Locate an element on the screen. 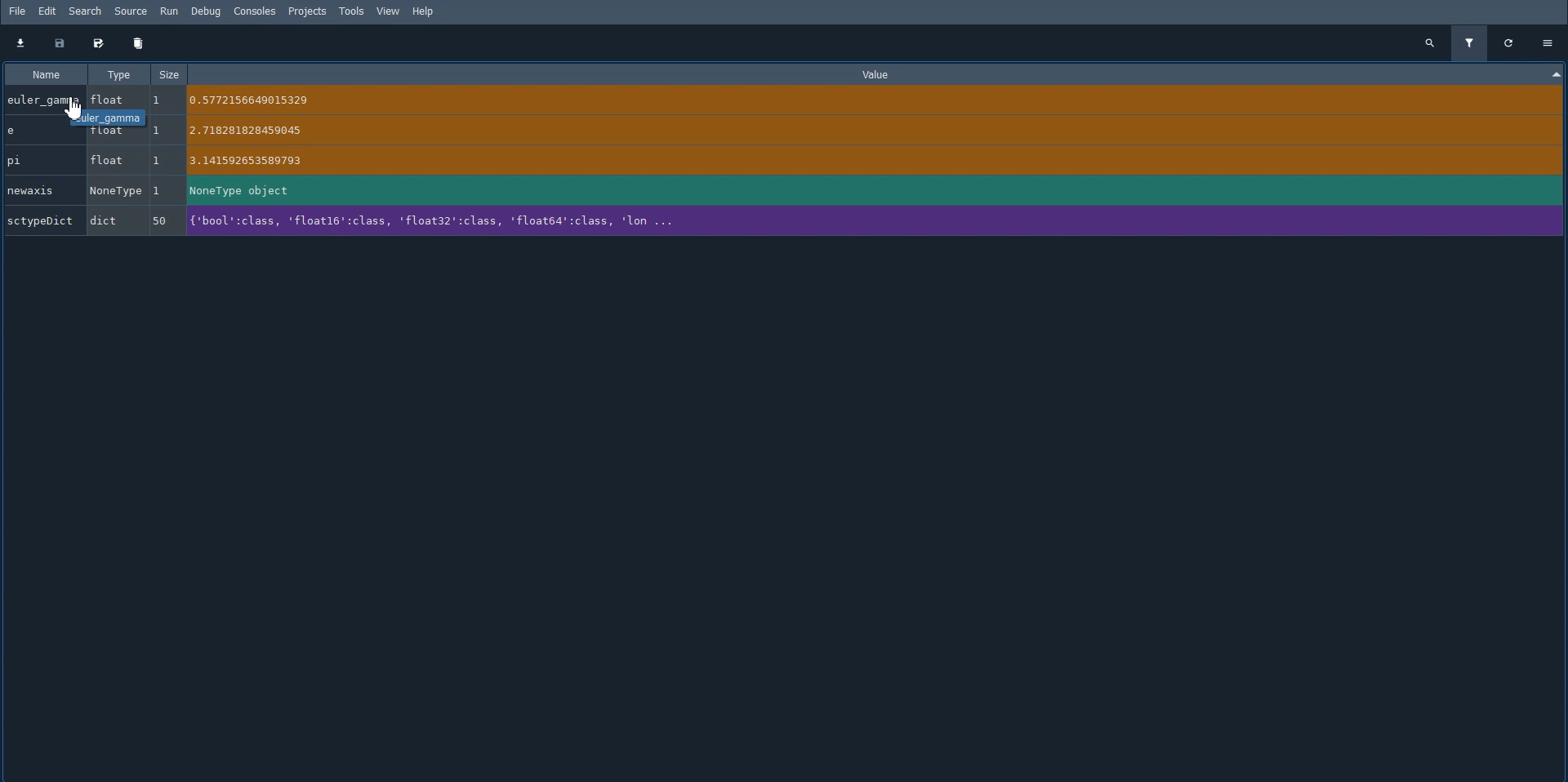  euler_gamma is located at coordinates (415, 98).